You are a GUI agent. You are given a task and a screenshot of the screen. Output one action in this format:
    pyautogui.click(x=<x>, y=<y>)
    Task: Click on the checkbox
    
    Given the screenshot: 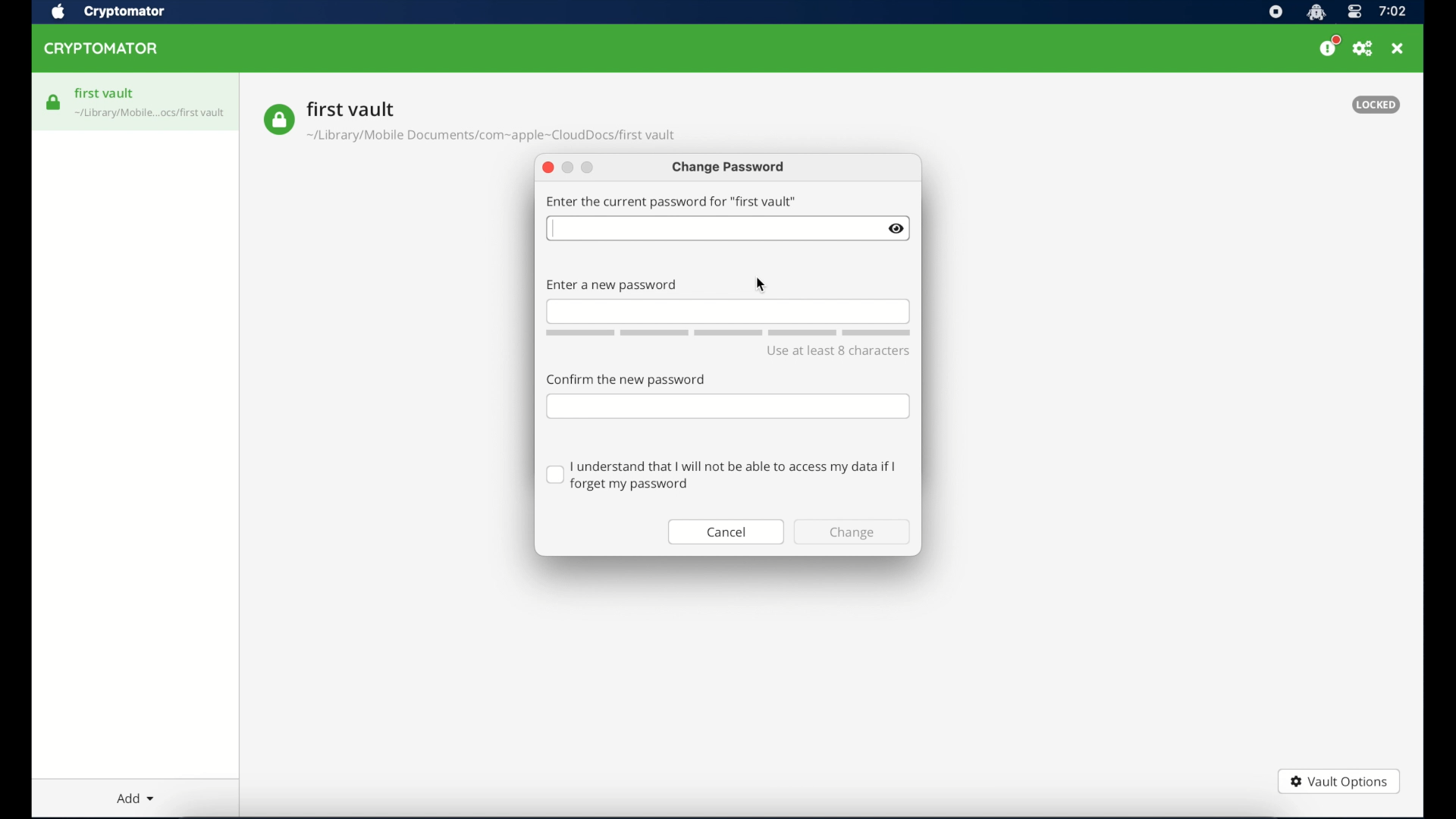 What is the action you would take?
    pyautogui.click(x=723, y=475)
    